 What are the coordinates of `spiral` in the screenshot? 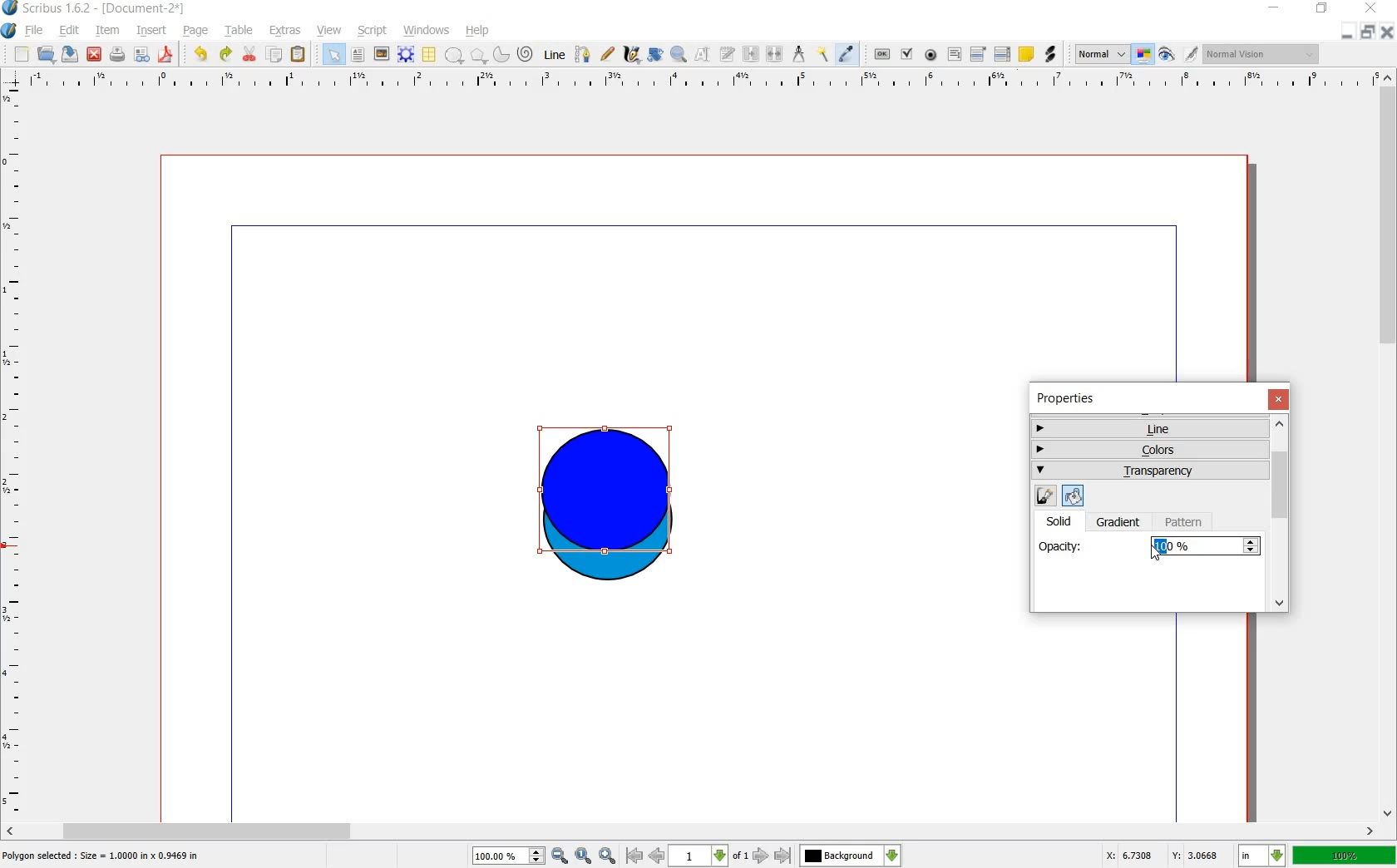 It's located at (525, 55).